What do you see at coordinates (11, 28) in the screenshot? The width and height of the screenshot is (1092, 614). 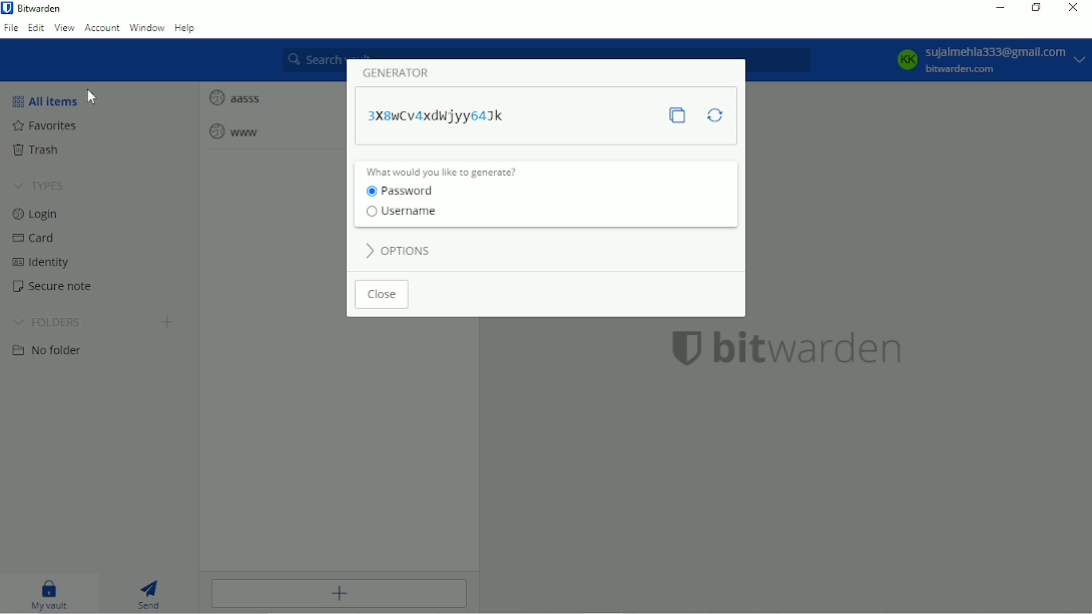 I see `File` at bounding box center [11, 28].